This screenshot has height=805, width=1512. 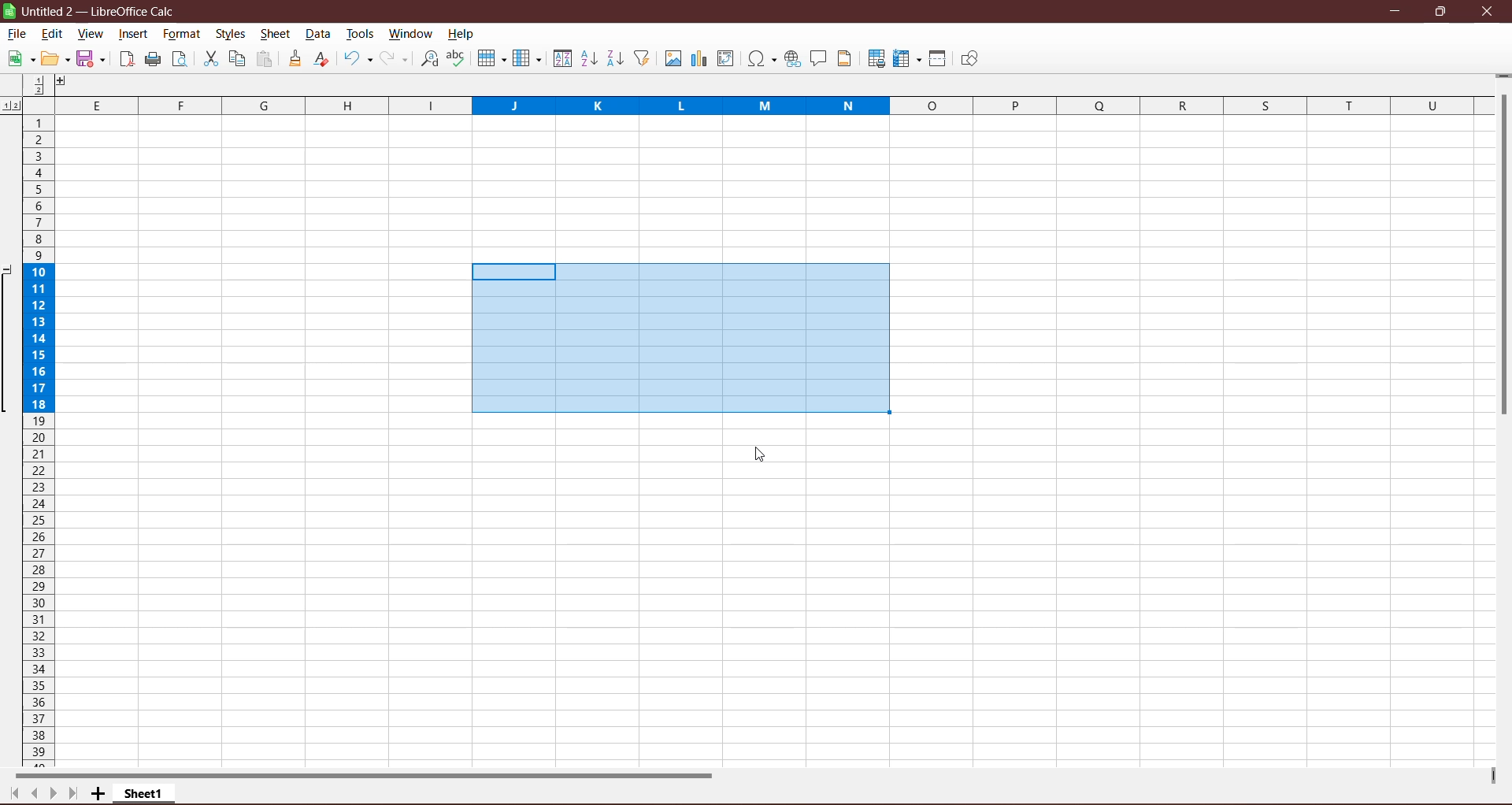 I want to click on Format, so click(x=181, y=34).